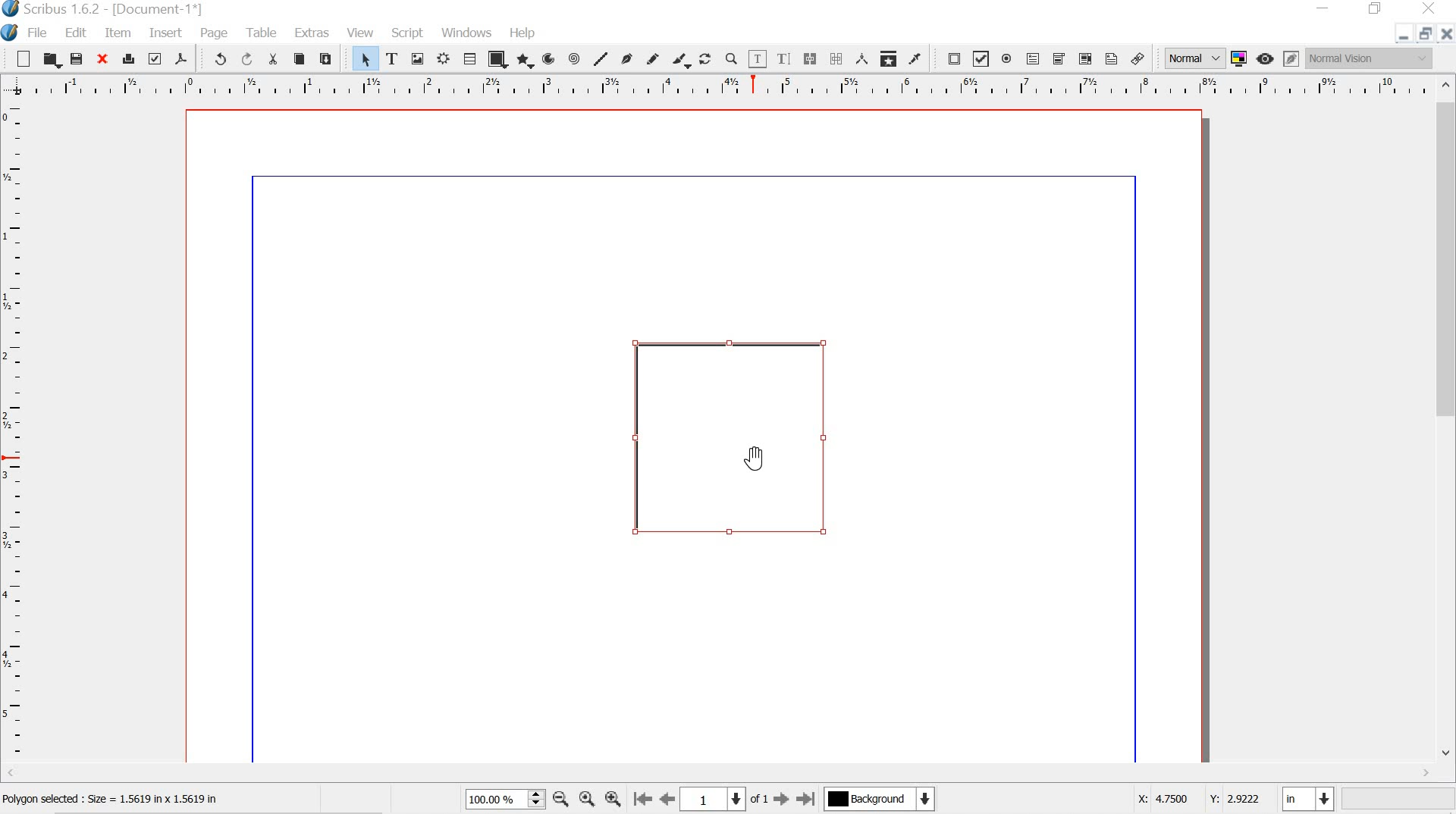  I want to click on polygon, so click(526, 61).